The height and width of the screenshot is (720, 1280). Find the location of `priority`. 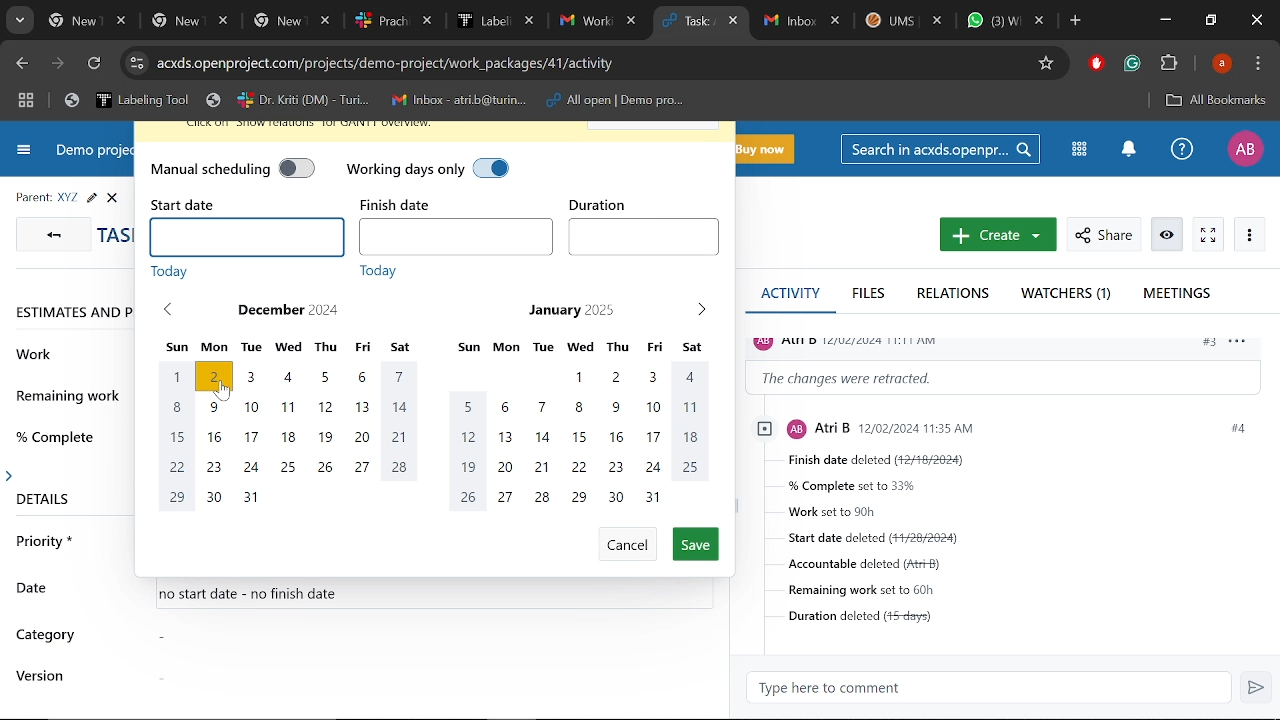

priority is located at coordinates (45, 546).